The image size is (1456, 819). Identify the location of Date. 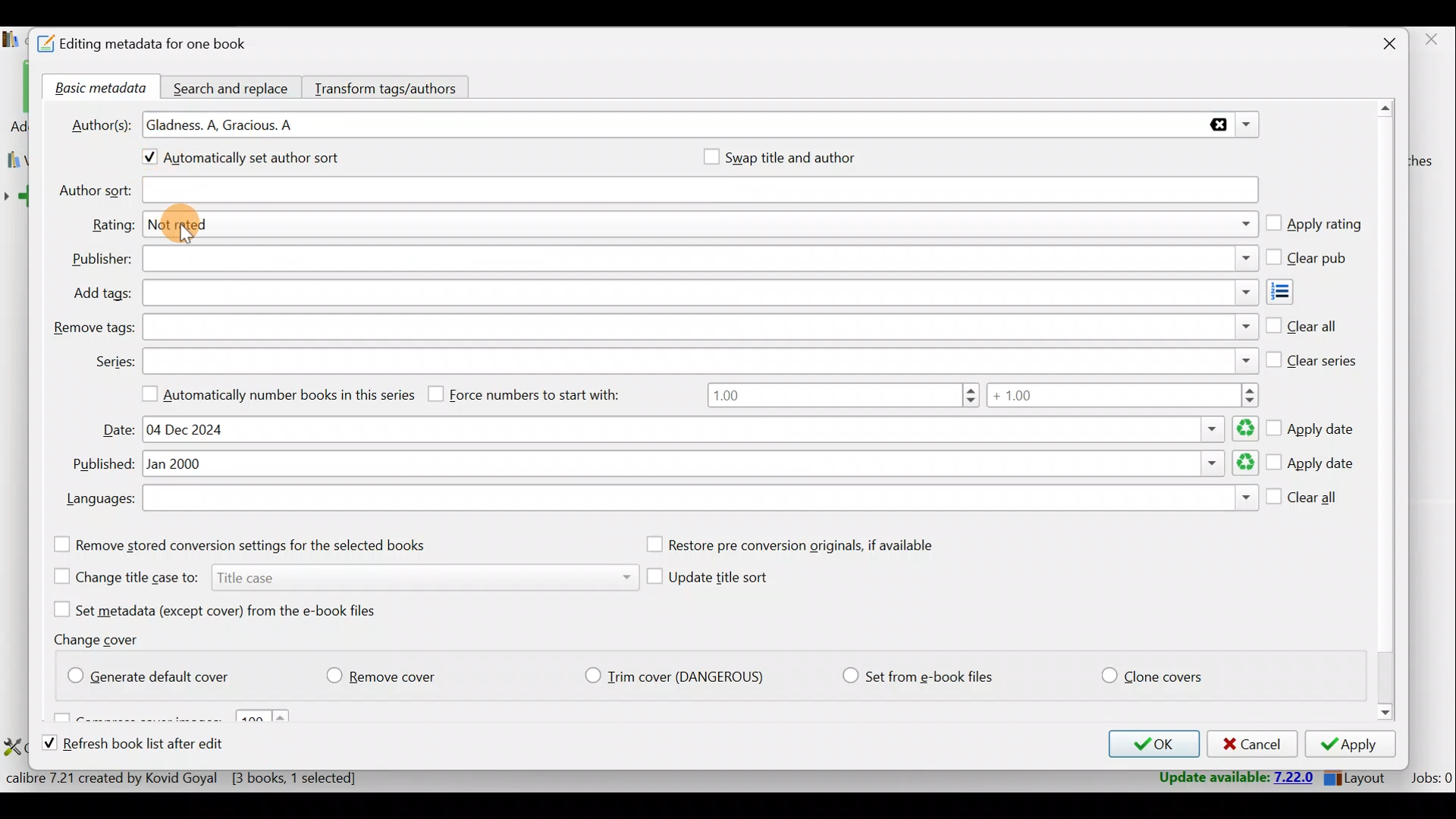
(698, 429).